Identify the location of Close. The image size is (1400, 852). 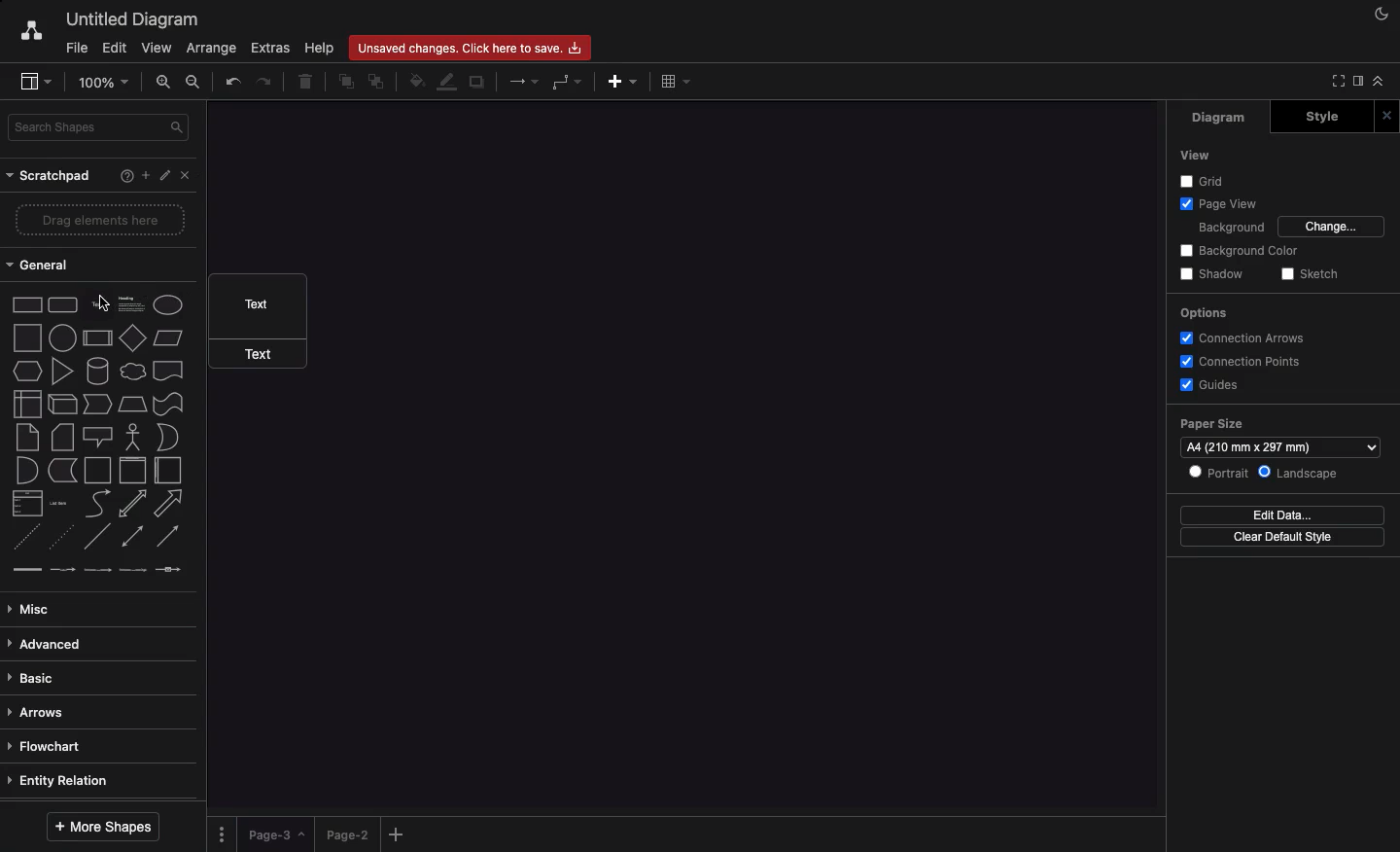
(190, 179).